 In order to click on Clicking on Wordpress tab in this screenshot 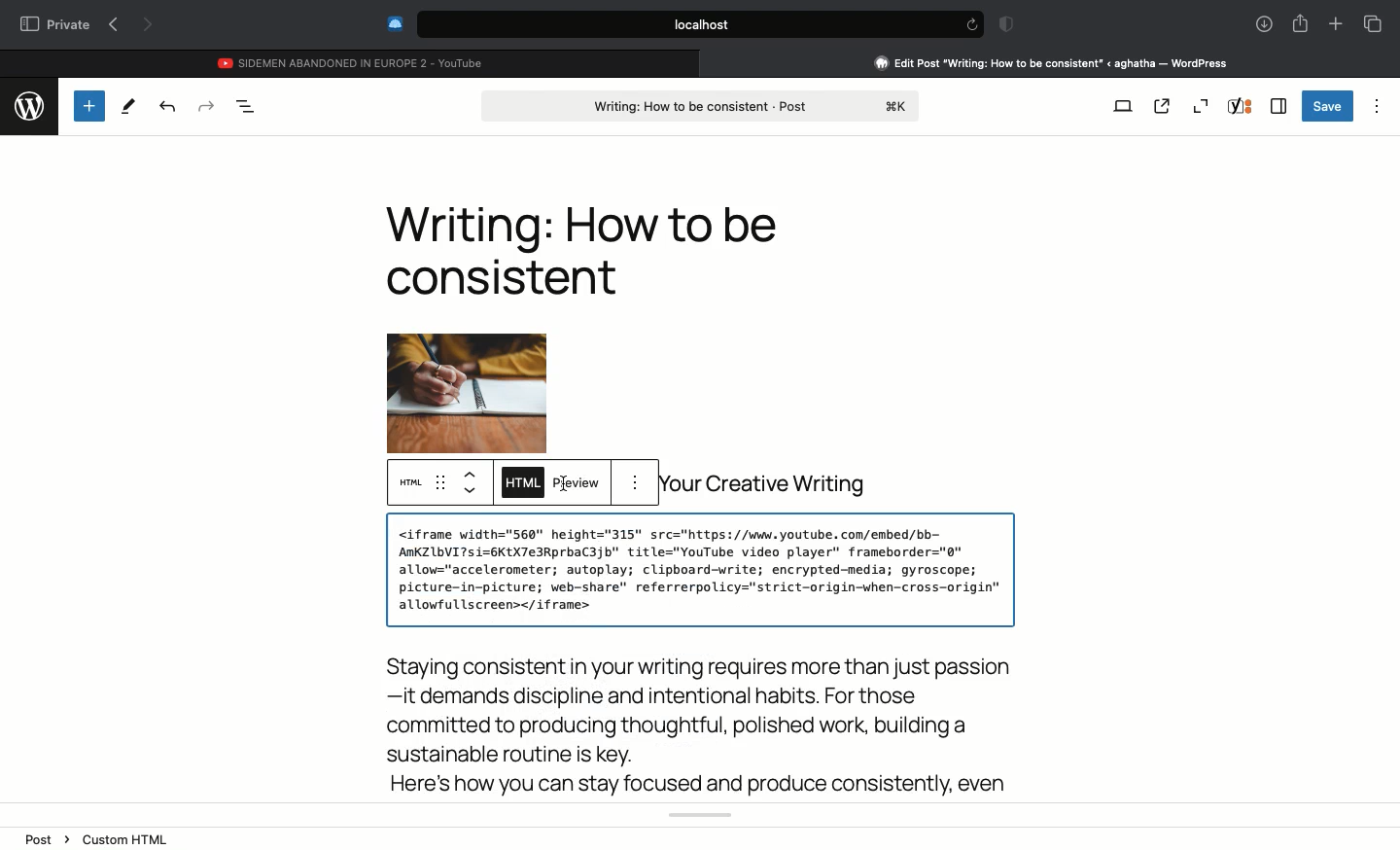, I will do `click(1052, 62)`.